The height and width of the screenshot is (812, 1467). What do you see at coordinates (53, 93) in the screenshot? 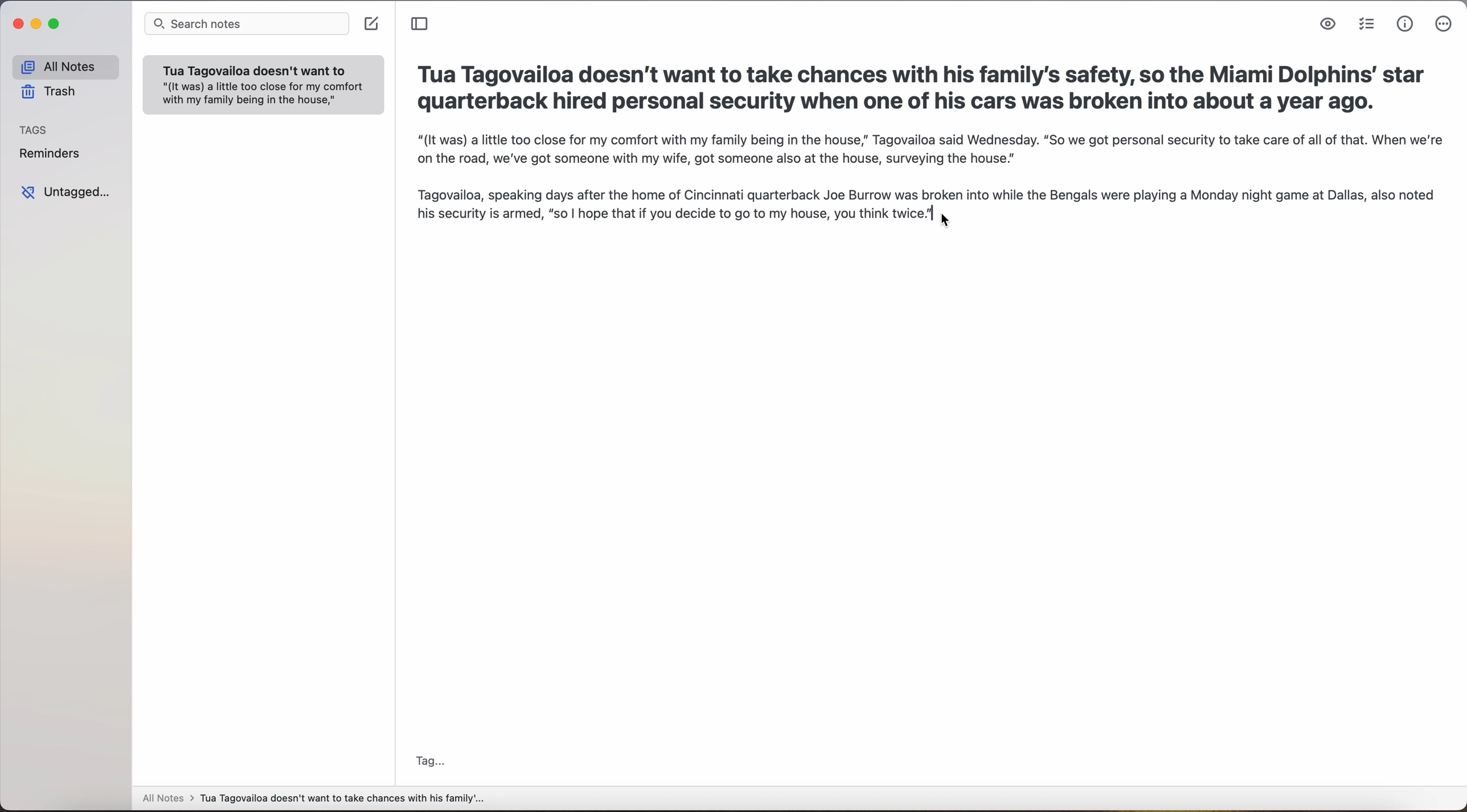
I see `trash` at bounding box center [53, 93].